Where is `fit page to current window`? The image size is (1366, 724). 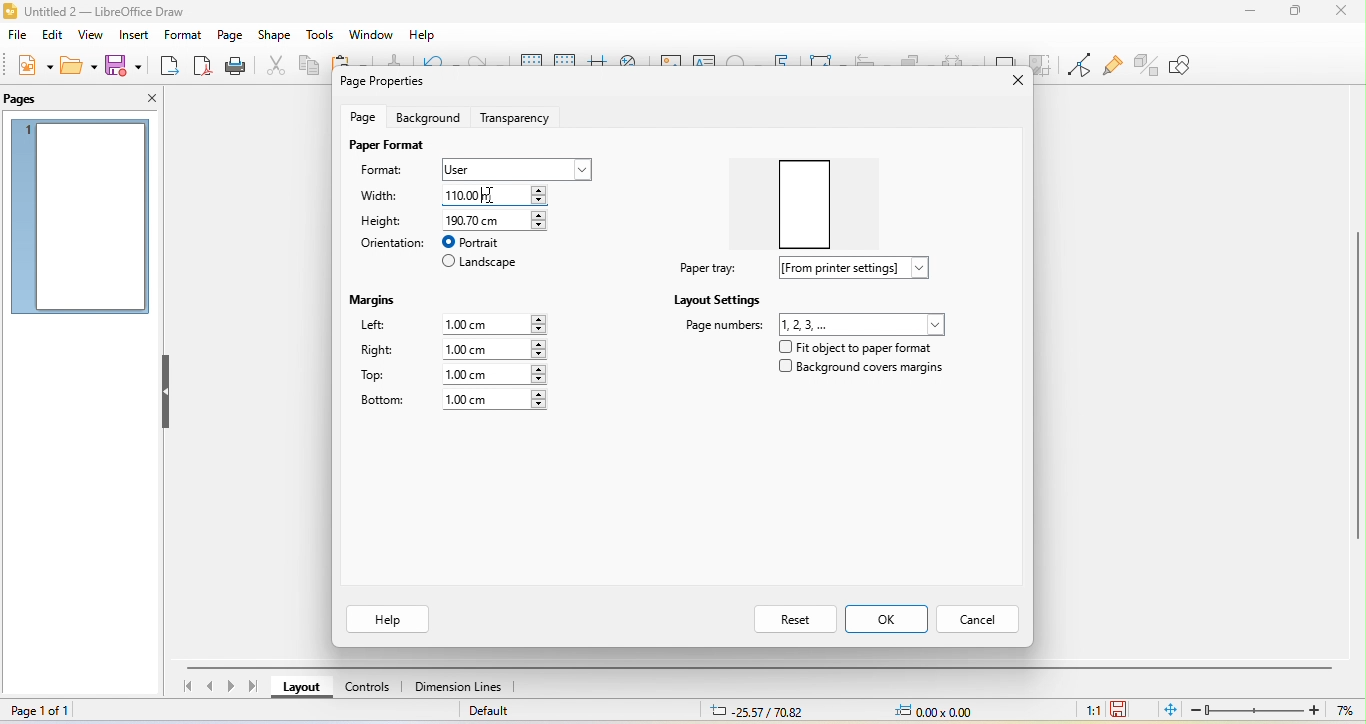 fit page to current window is located at coordinates (1169, 709).